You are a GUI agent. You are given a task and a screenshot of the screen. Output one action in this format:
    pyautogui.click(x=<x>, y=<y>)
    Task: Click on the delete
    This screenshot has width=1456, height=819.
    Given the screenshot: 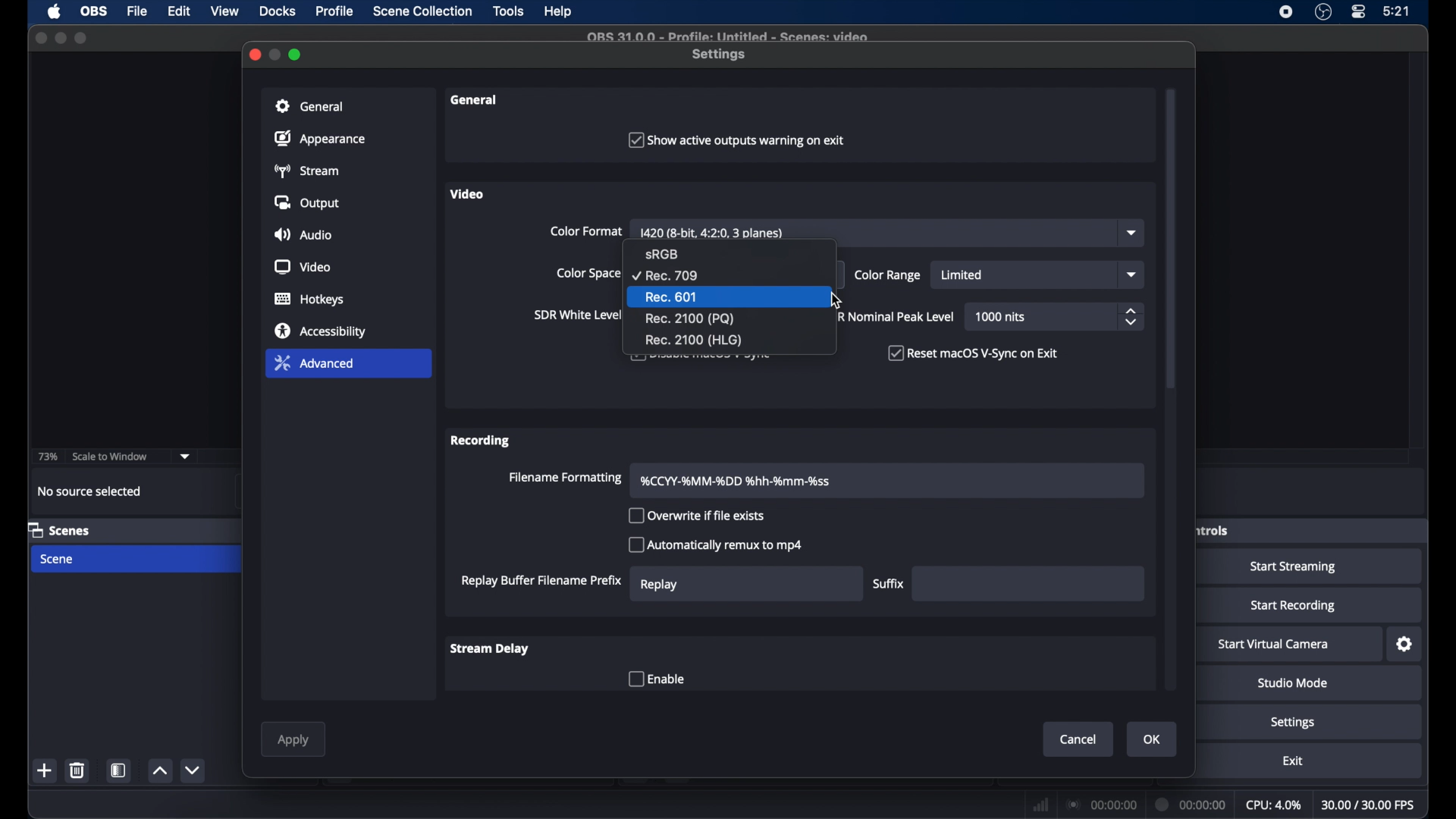 What is the action you would take?
    pyautogui.click(x=77, y=770)
    